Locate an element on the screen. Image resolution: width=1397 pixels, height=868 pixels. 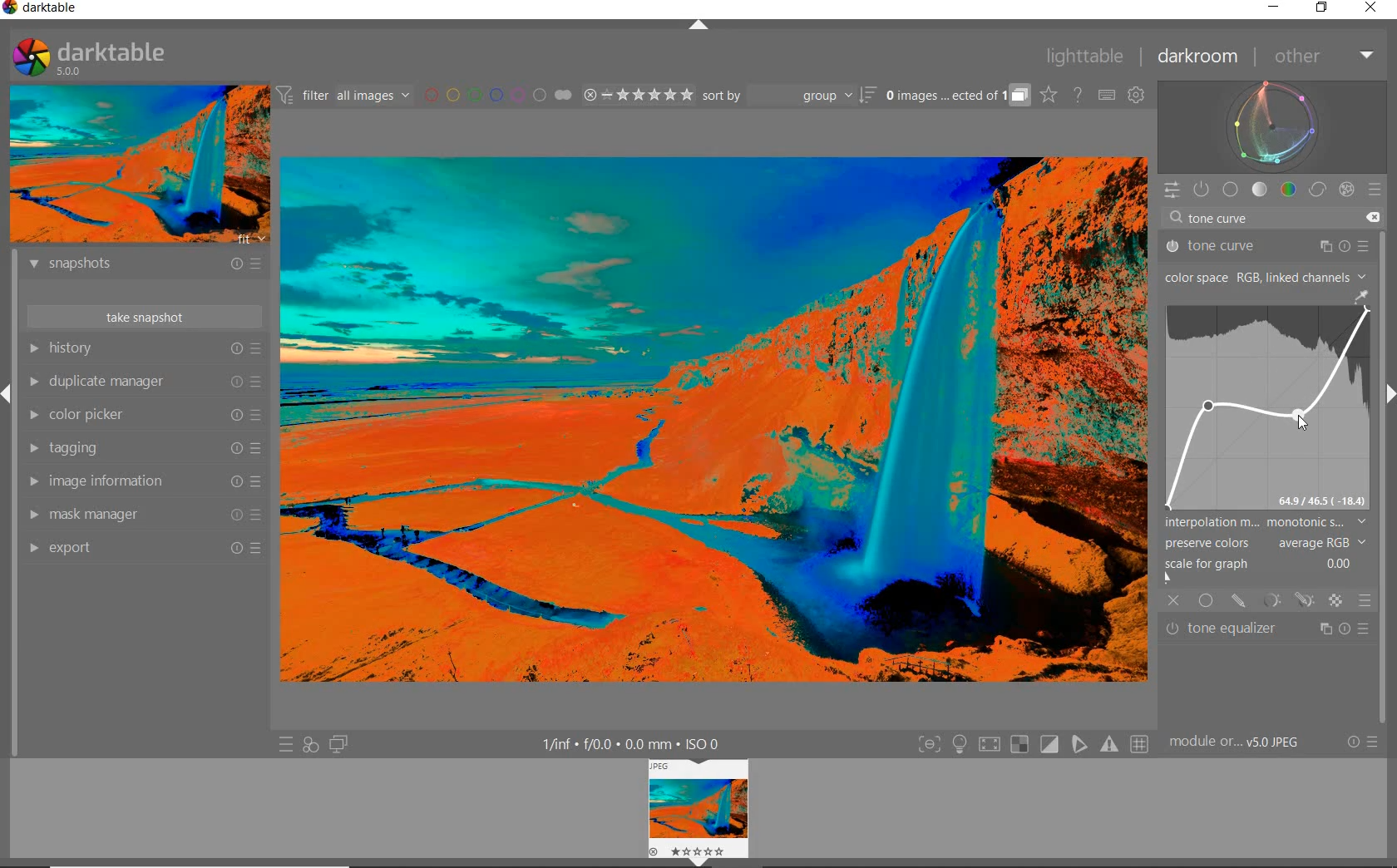
QUICK ACCESS TO PRESET is located at coordinates (285, 743).